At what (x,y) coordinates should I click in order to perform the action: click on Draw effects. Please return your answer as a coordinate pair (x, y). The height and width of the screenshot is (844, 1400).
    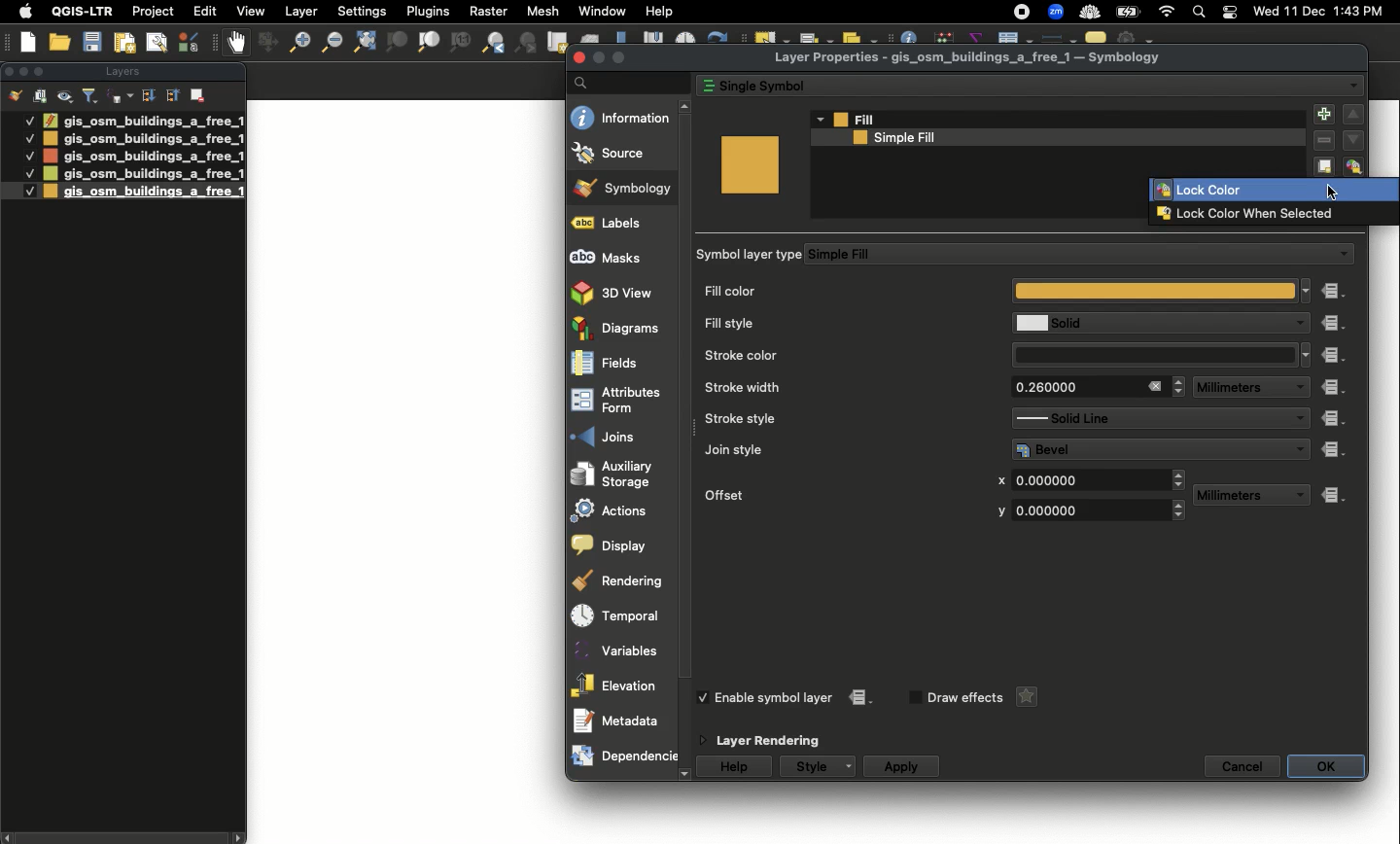
    Looking at the image, I should click on (964, 698).